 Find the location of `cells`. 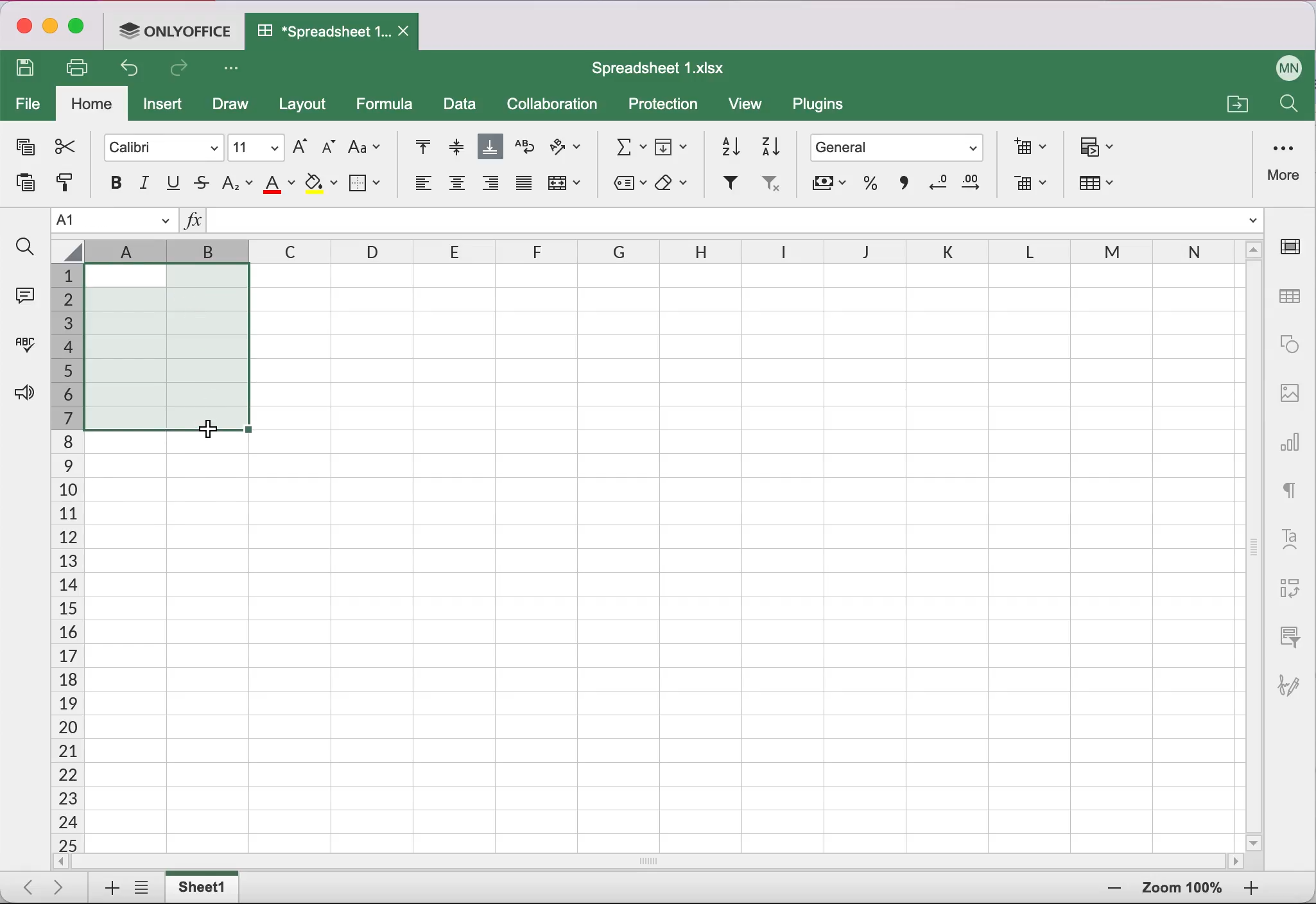

cells is located at coordinates (777, 555).